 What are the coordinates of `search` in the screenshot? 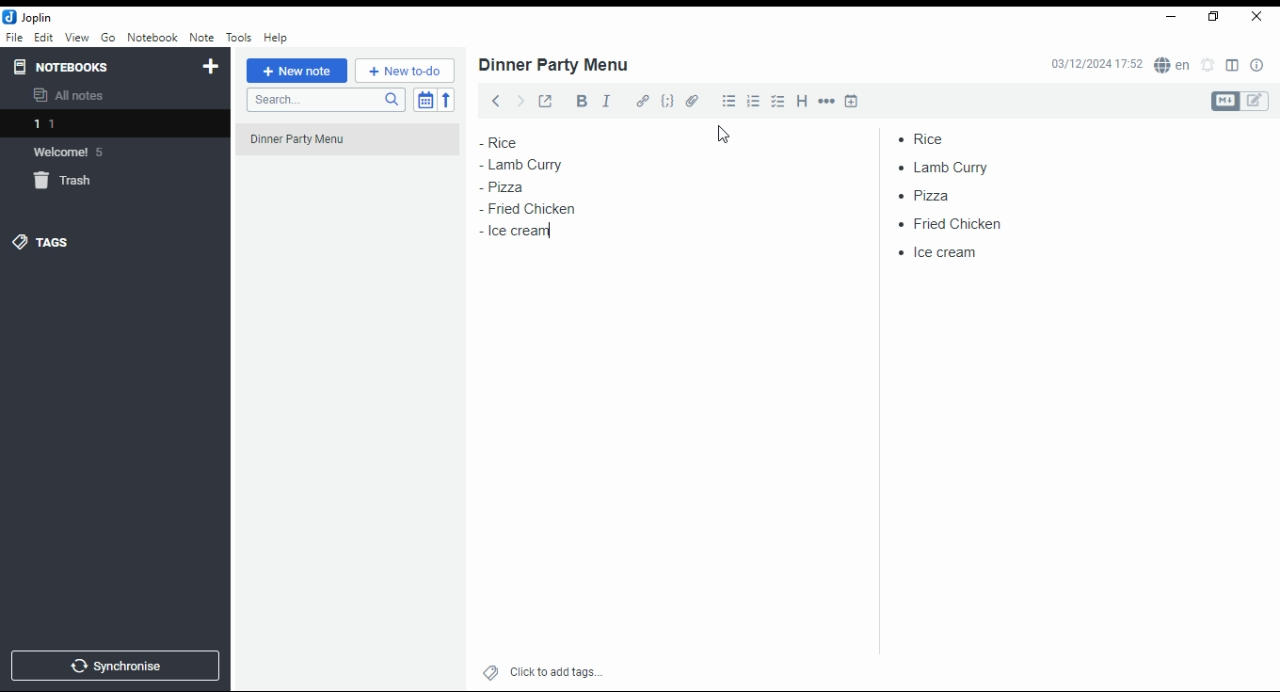 It's located at (324, 101).